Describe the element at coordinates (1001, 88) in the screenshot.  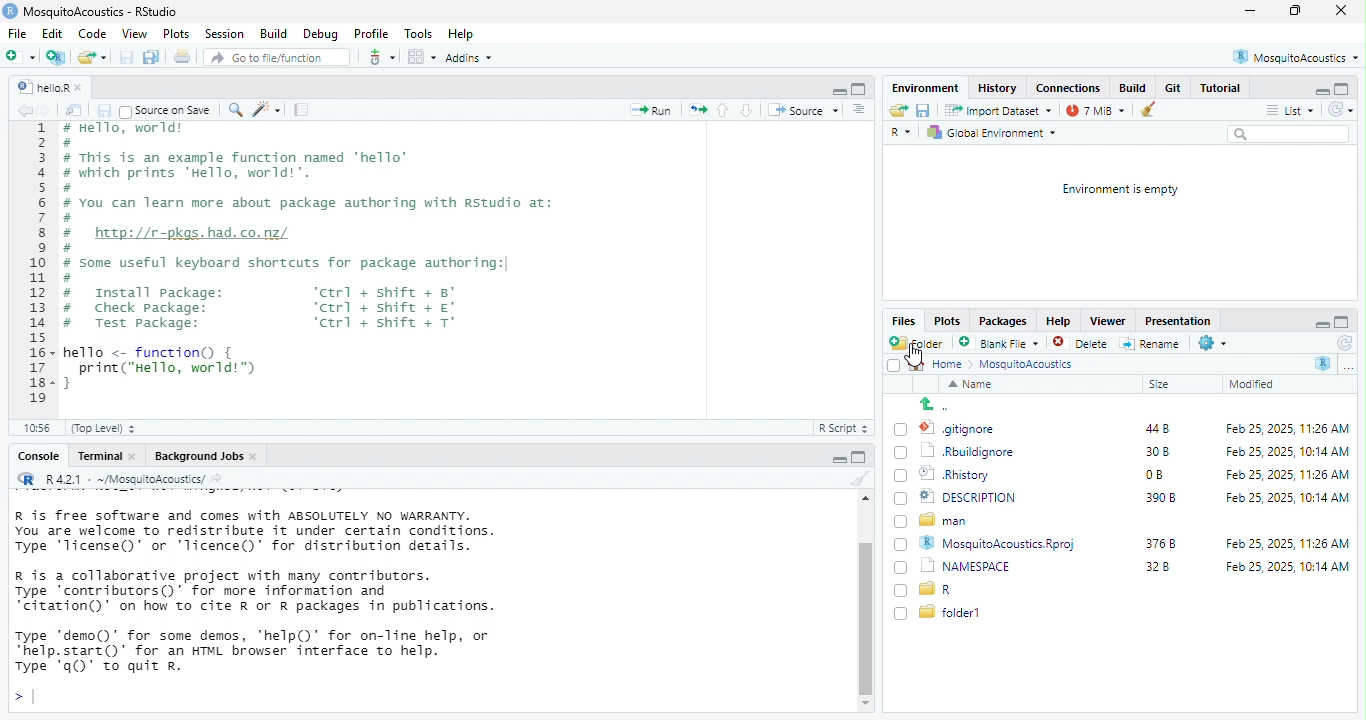
I see ` History` at that location.